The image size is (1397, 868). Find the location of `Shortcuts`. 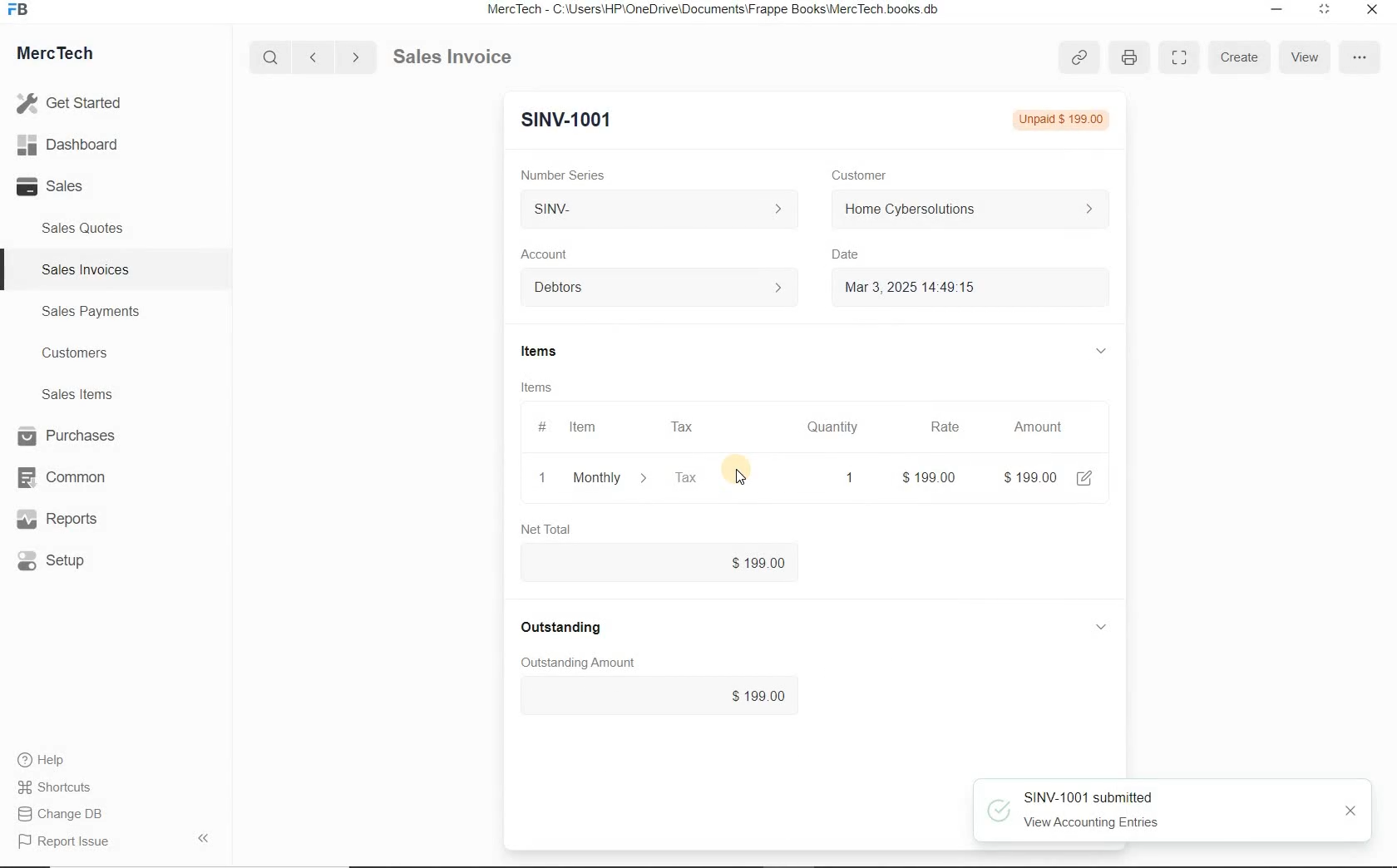

Shortcuts is located at coordinates (62, 788).